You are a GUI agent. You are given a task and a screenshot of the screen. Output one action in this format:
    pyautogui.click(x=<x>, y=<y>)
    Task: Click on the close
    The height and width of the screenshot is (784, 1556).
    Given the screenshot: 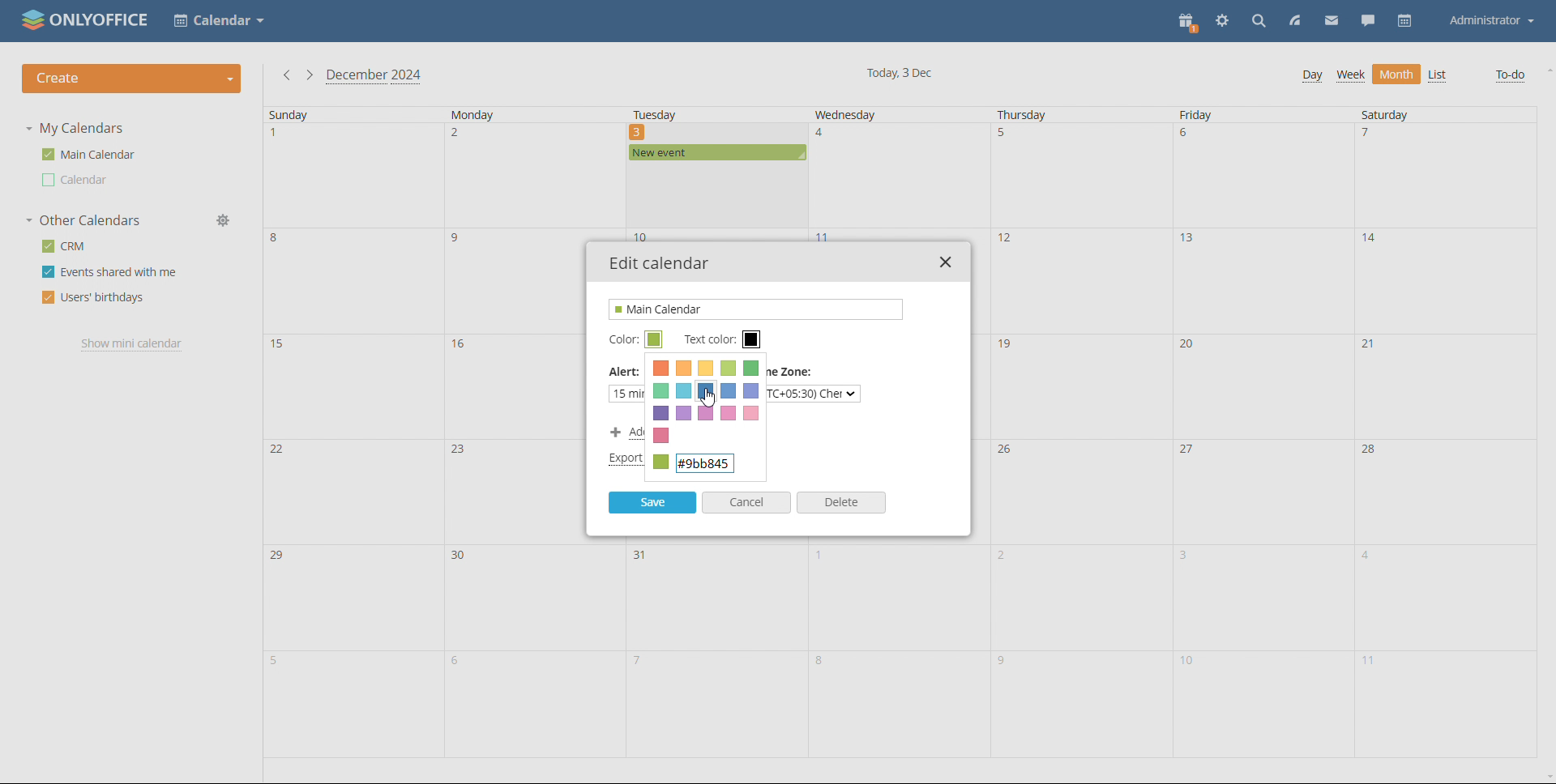 What is the action you would take?
    pyautogui.click(x=945, y=262)
    